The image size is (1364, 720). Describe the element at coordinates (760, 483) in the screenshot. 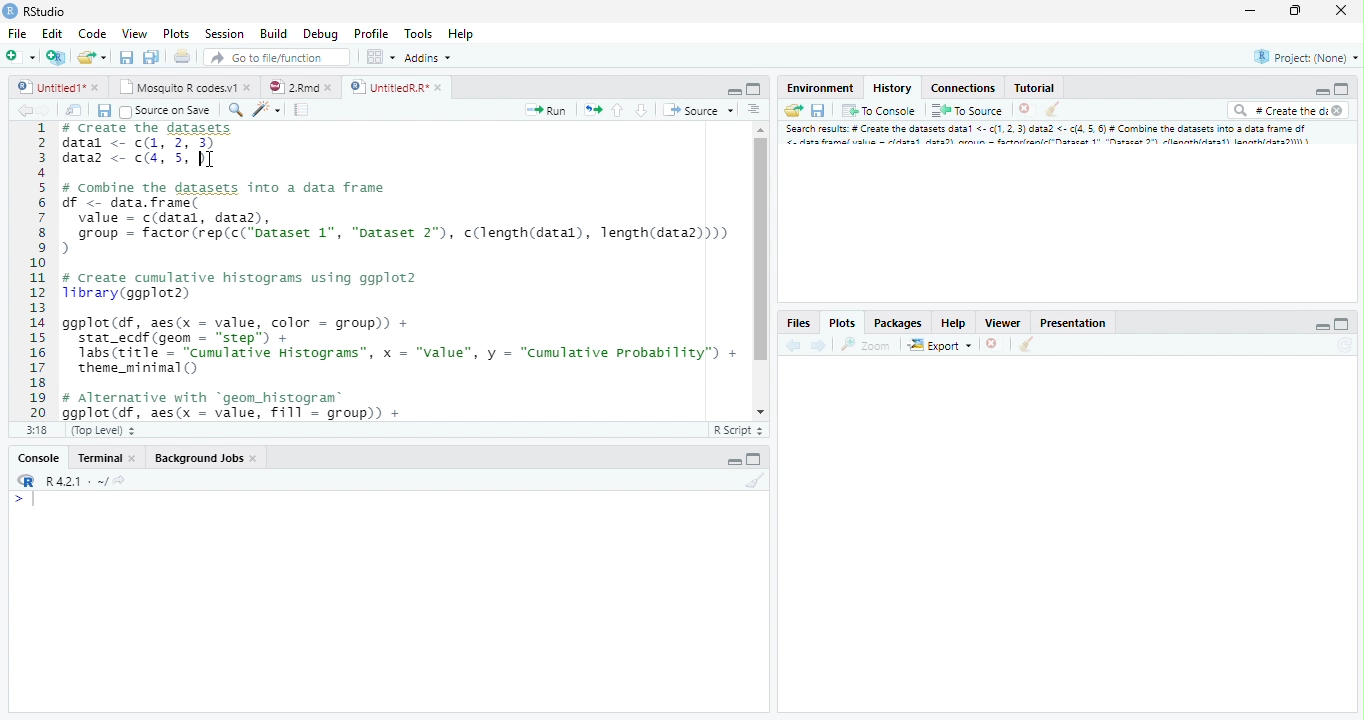

I see `Clear Console` at that location.